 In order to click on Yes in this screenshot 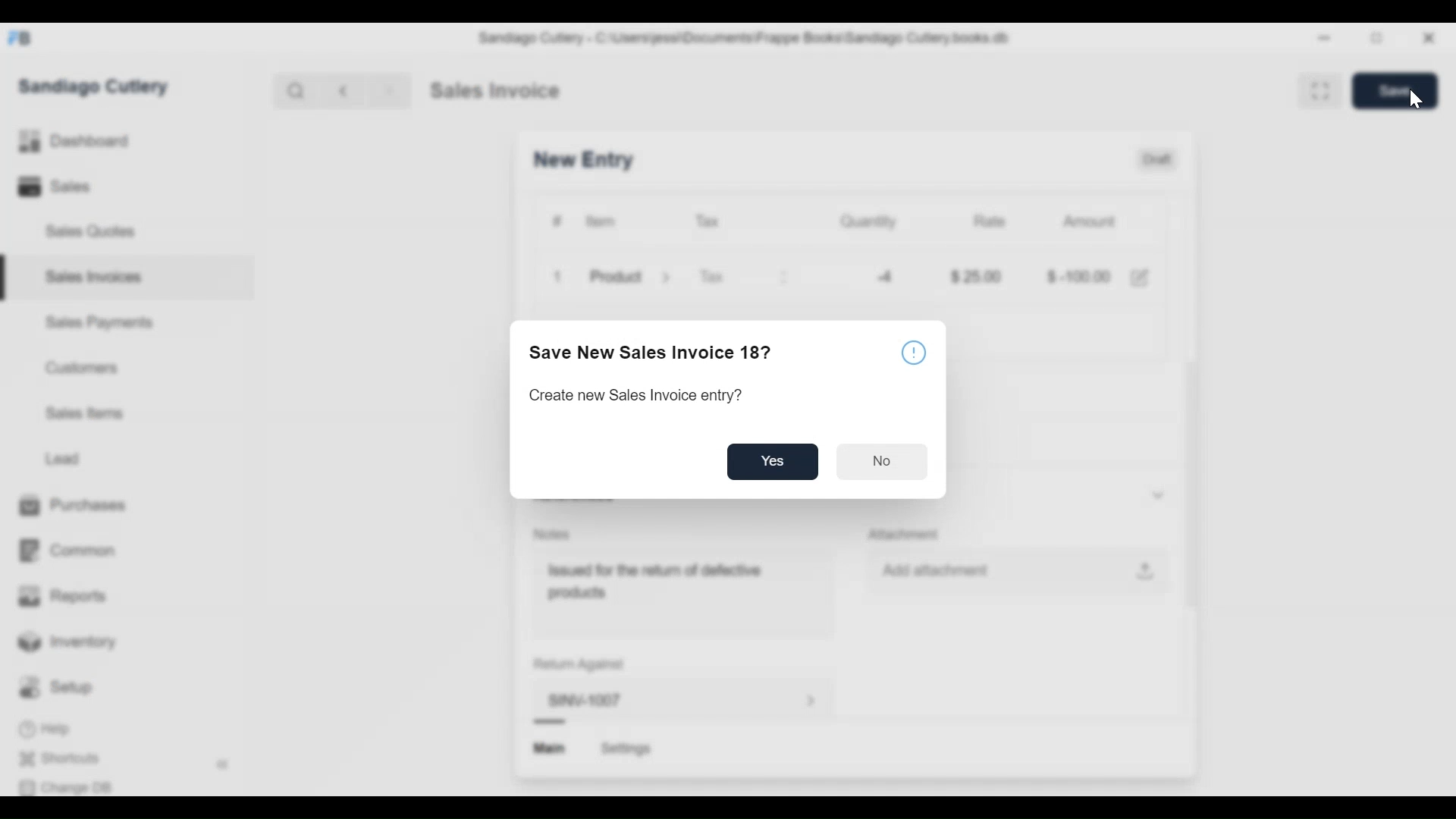, I will do `click(773, 462)`.